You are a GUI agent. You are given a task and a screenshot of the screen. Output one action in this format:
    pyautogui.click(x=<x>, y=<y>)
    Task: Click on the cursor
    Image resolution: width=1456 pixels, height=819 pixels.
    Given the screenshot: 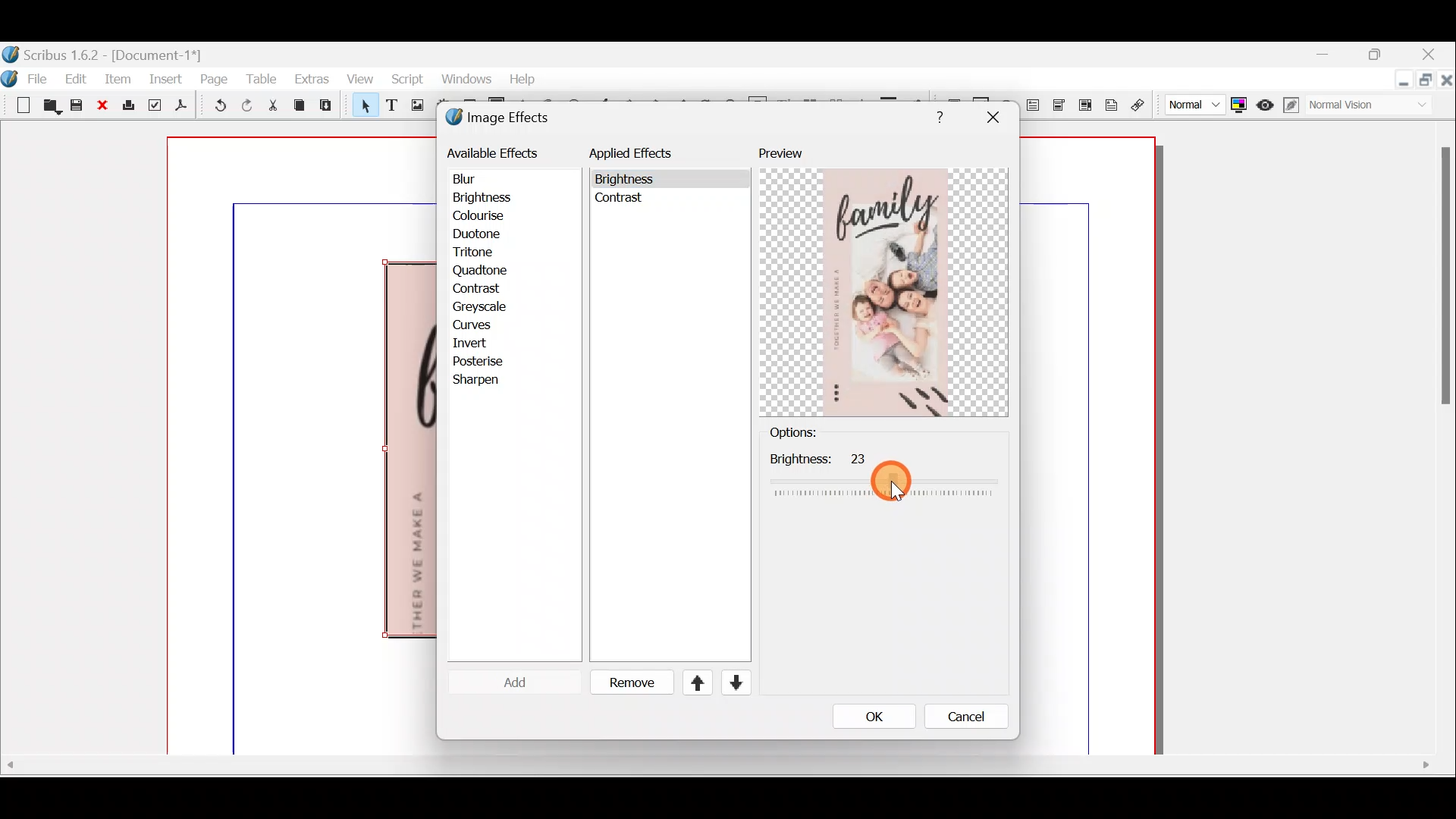 What is the action you would take?
    pyautogui.click(x=893, y=482)
    